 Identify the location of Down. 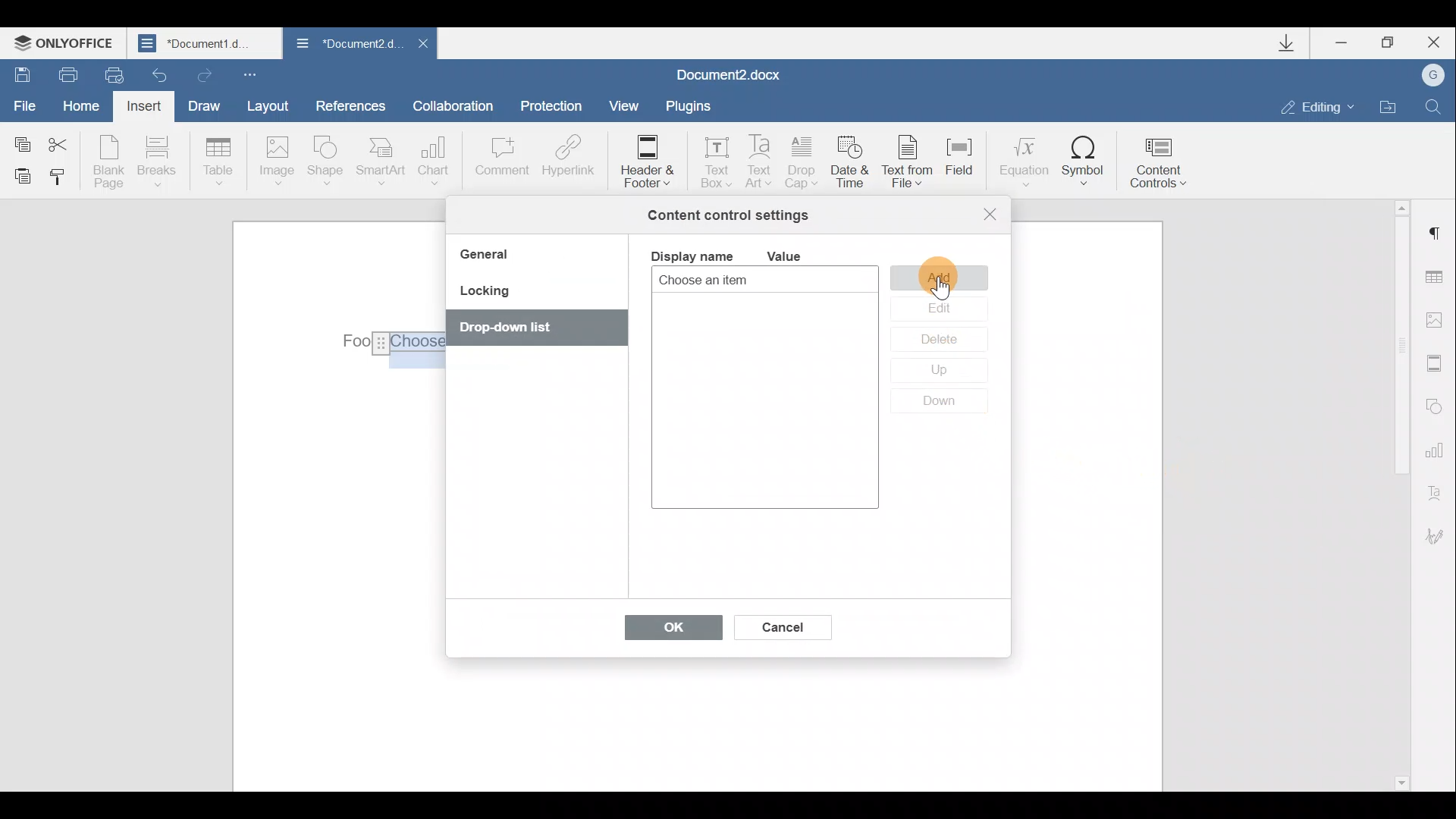
(946, 401).